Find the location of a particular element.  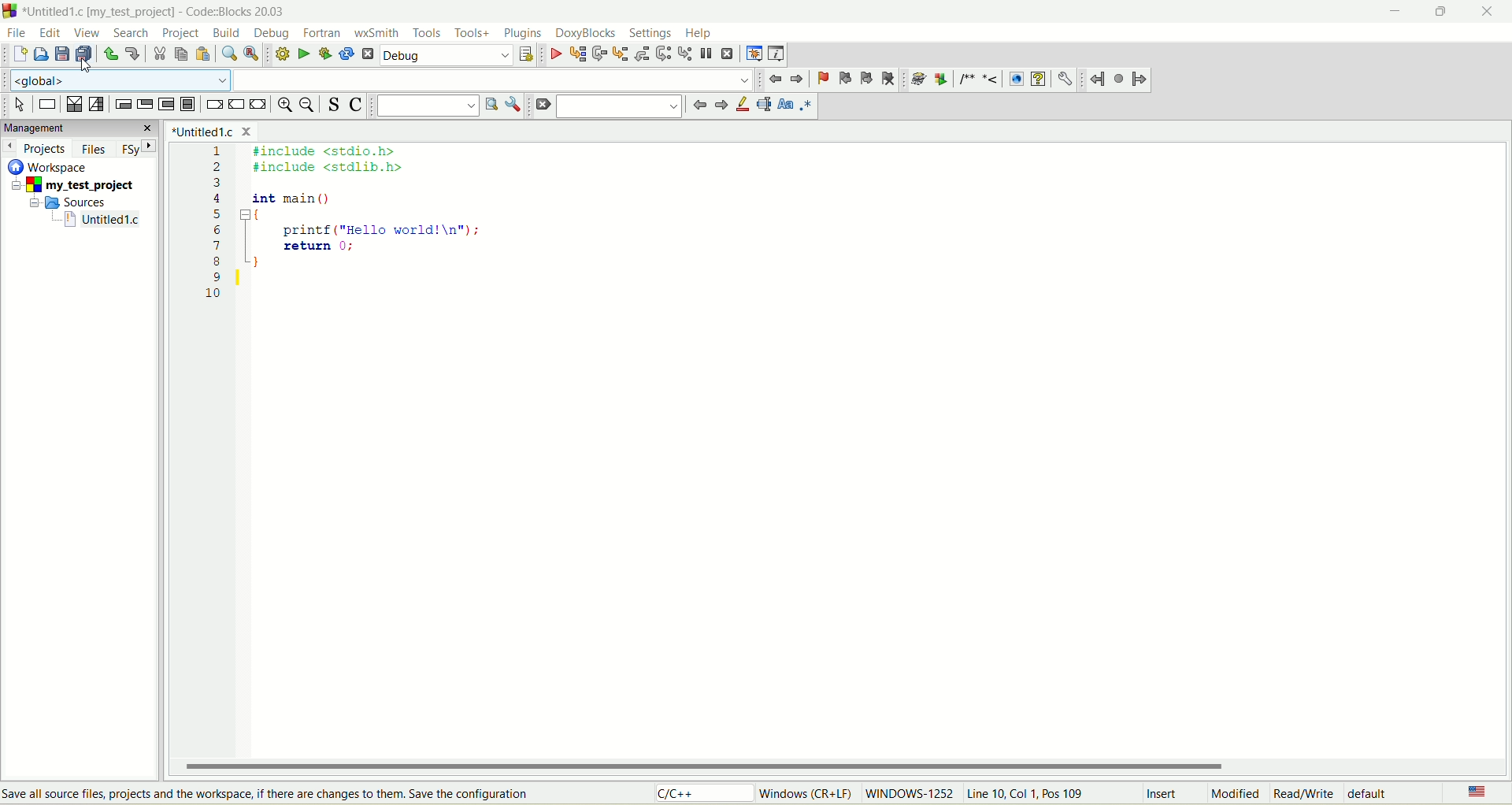

select target dialog is located at coordinates (527, 54).